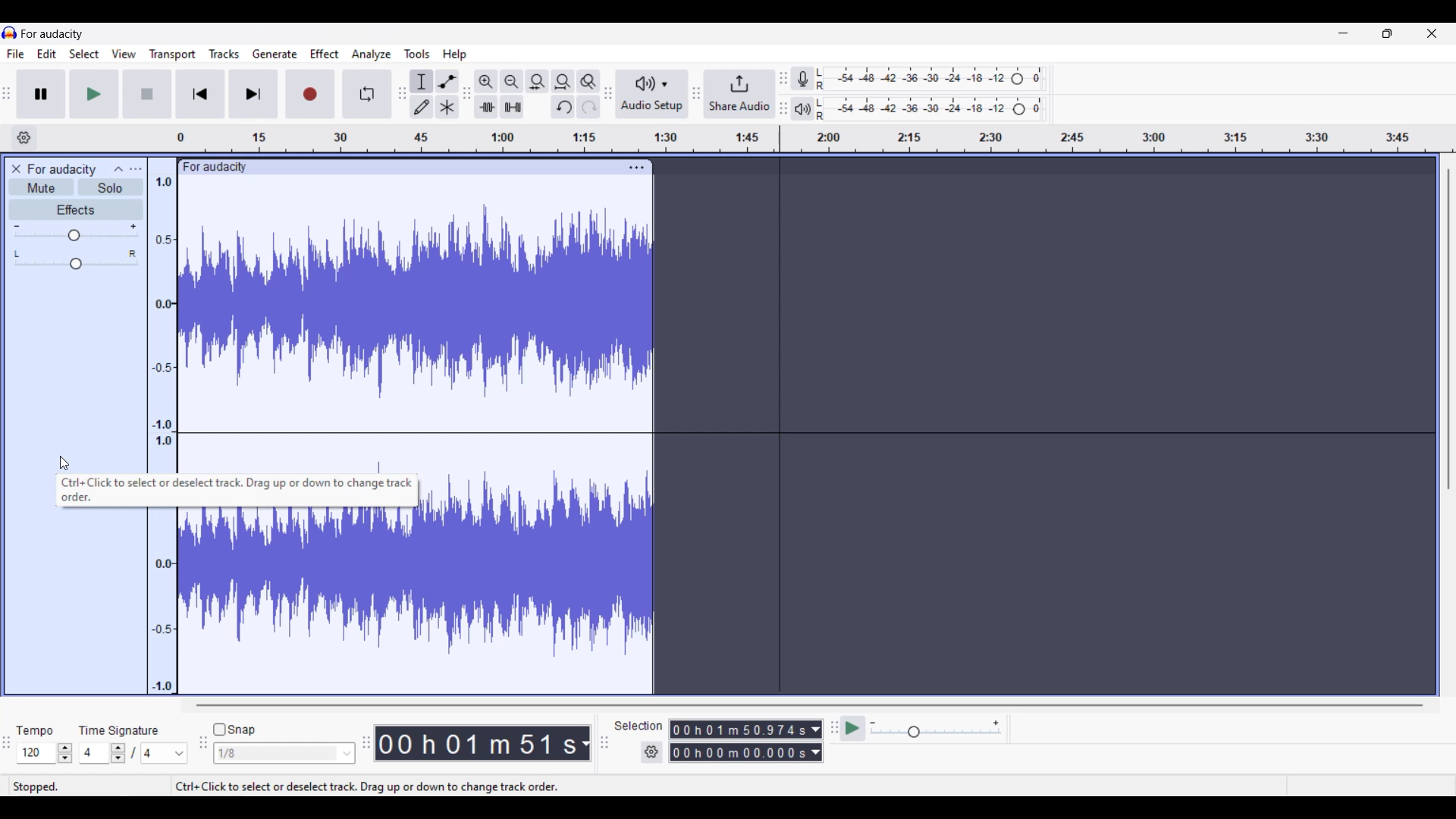 The image size is (1456, 819). What do you see at coordinates (512, 81) in the screenshot?
I see `Zoom out` at bounding box center [512, 81].